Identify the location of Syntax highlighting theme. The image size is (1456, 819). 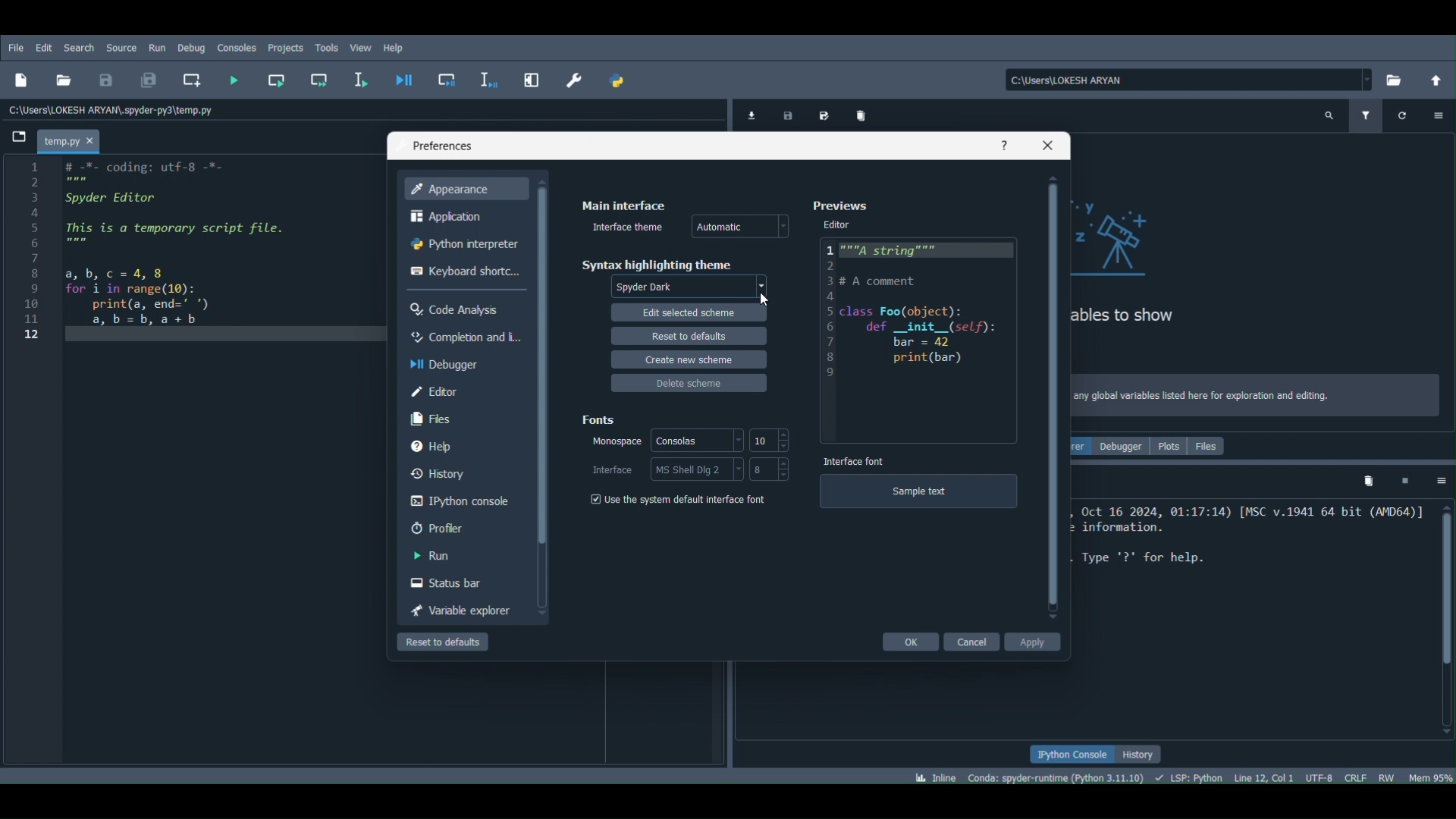
(651, 262).